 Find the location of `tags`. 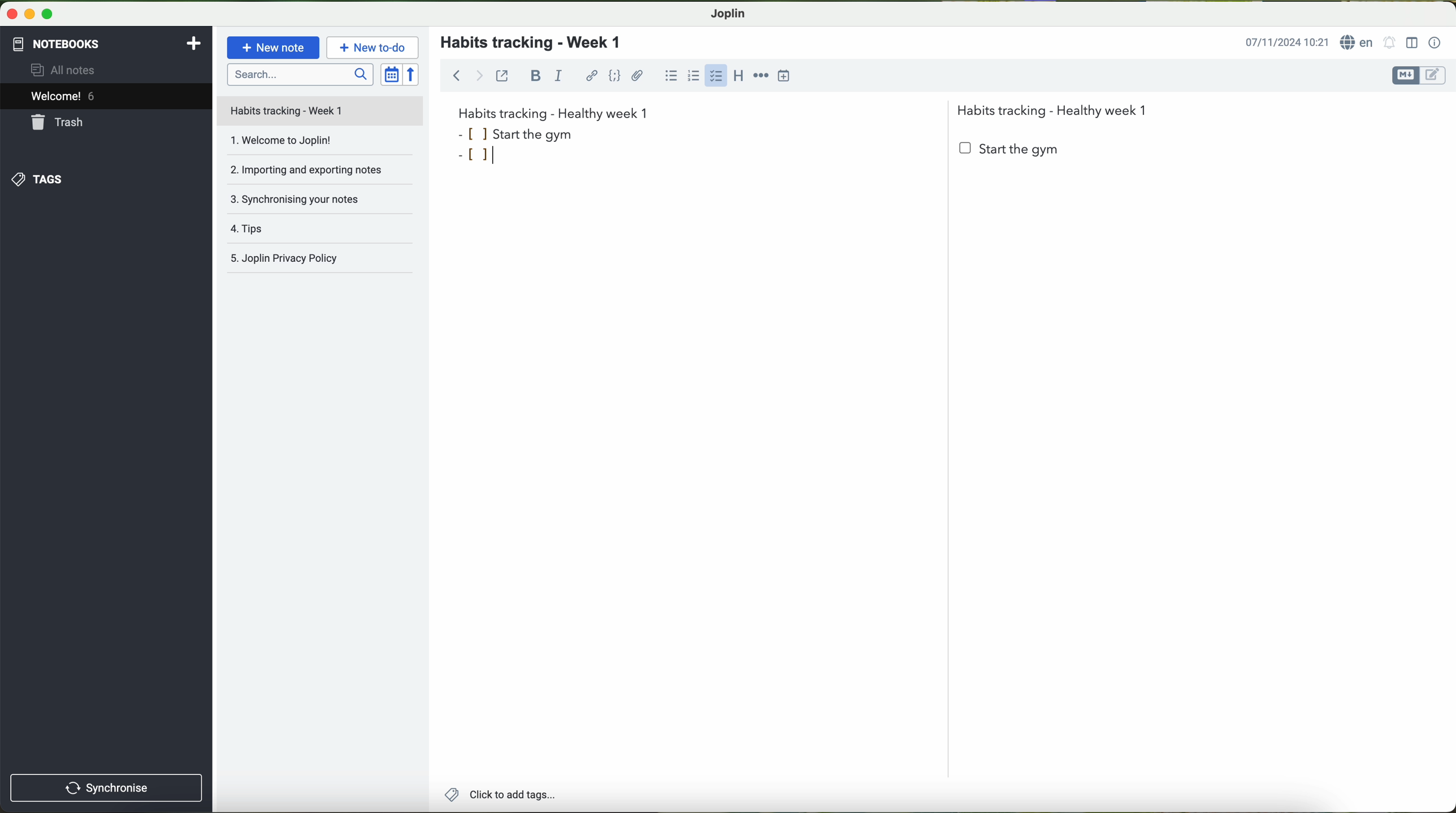

tags is located at coordinates (38, 180).